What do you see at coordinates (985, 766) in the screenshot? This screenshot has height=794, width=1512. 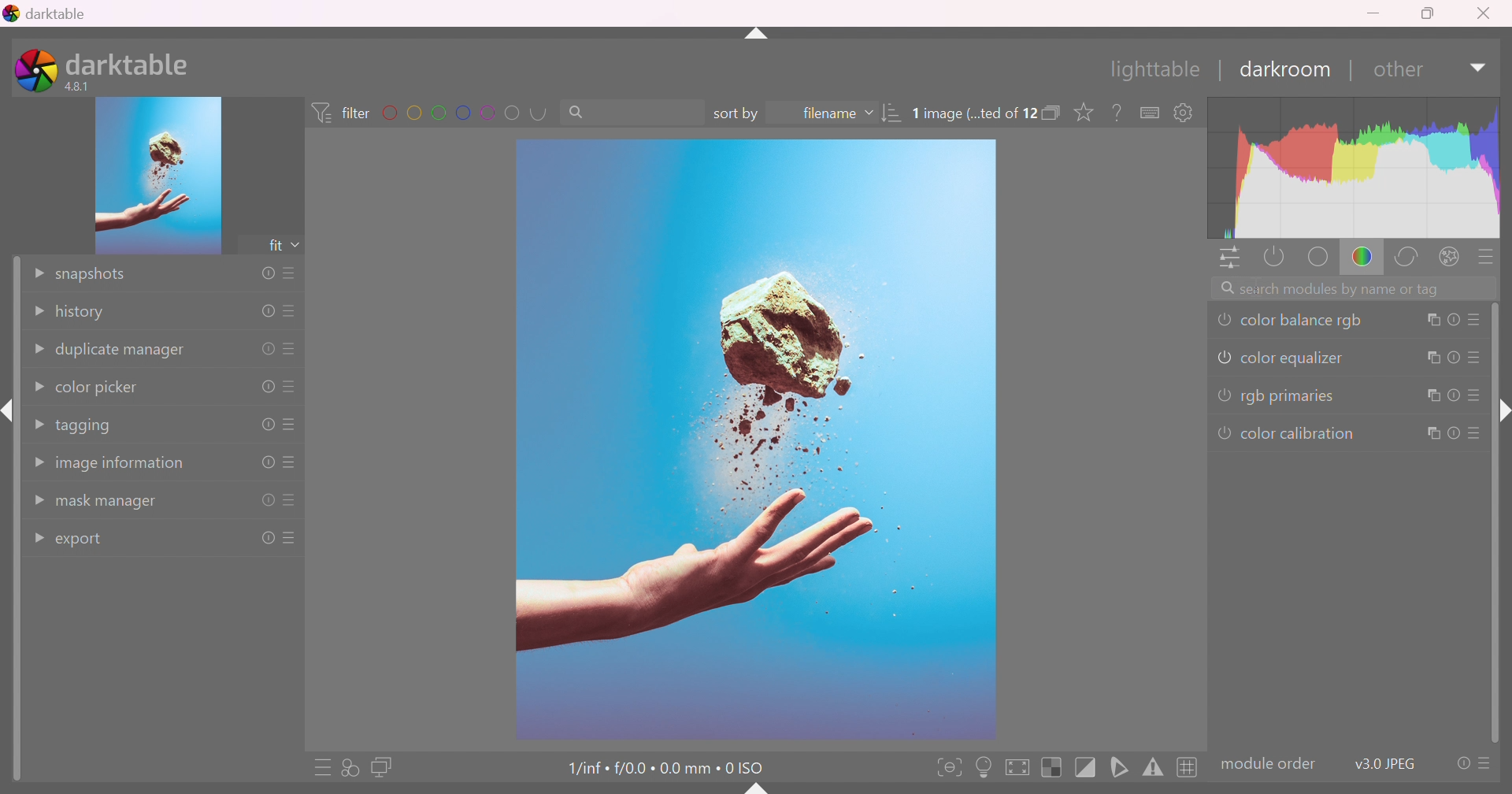 I see `toggle ISO 12646 color assessment conditions` at bounding box center [985, 766].